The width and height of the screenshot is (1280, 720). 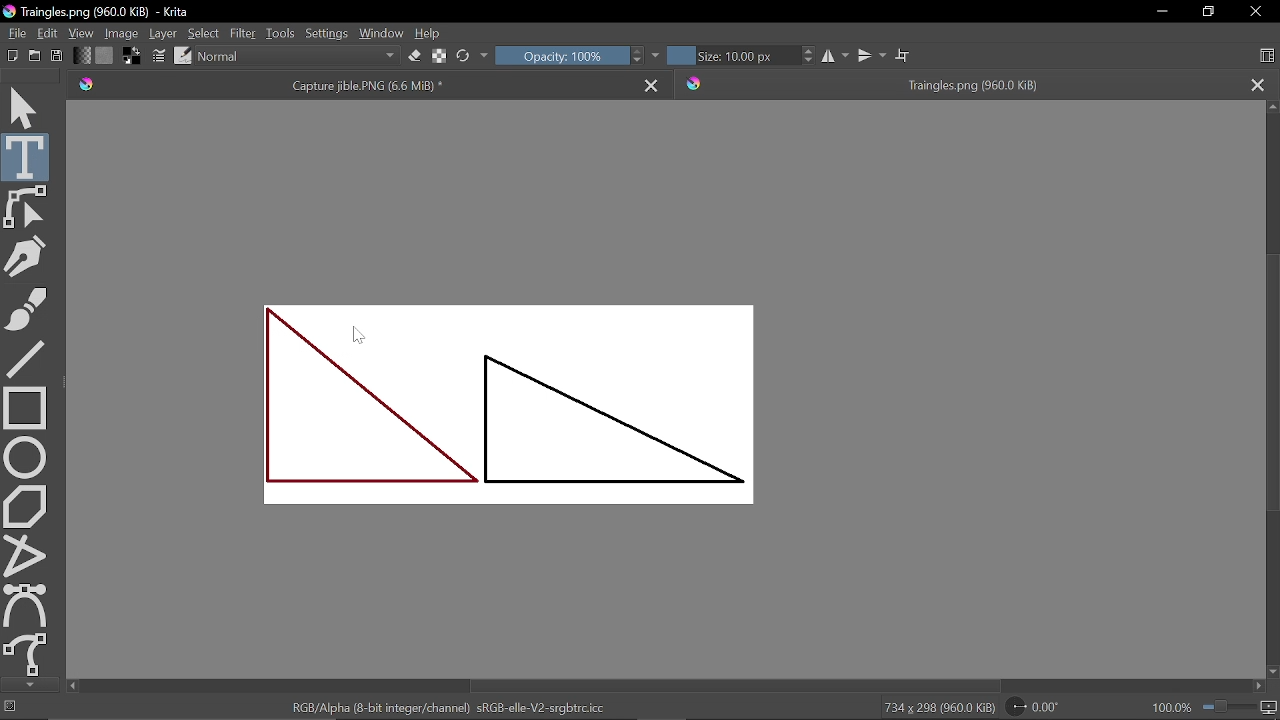 I want to click on shapes, so click(x=509, y=405).